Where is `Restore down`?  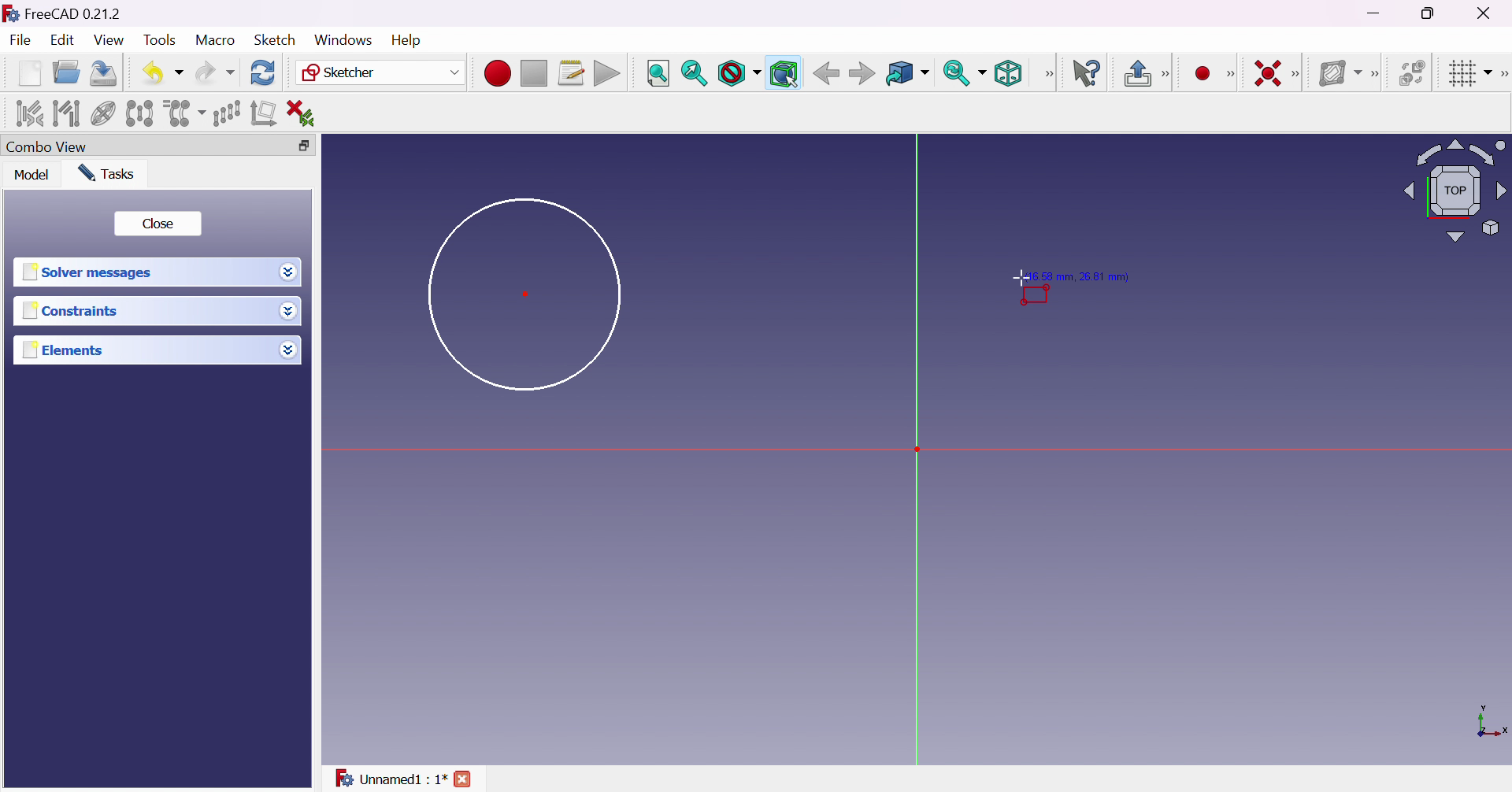
Restore down is located at coordinates (299, 146).